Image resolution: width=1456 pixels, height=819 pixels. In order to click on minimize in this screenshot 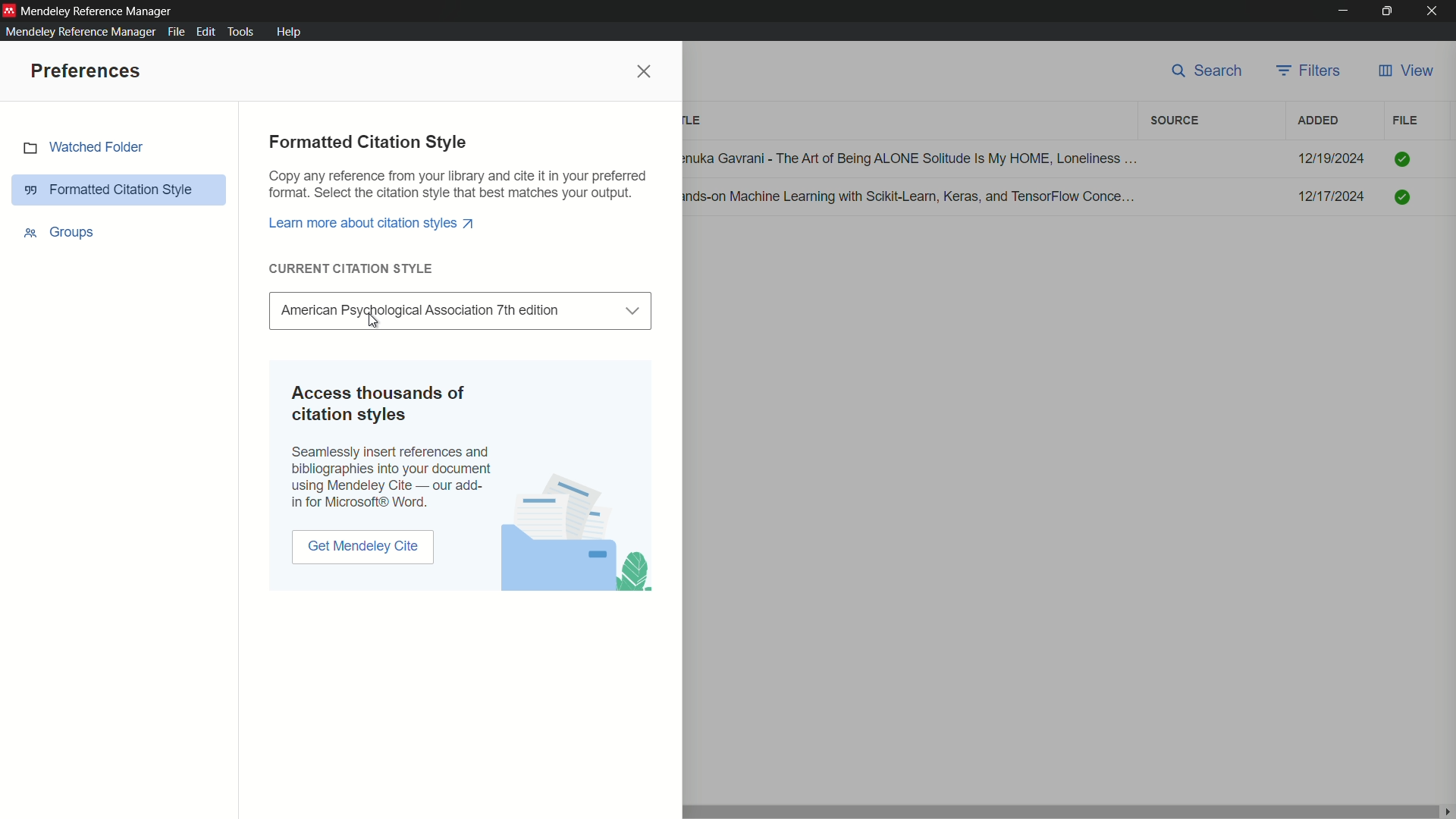, I will do `click(1342, 11)`.